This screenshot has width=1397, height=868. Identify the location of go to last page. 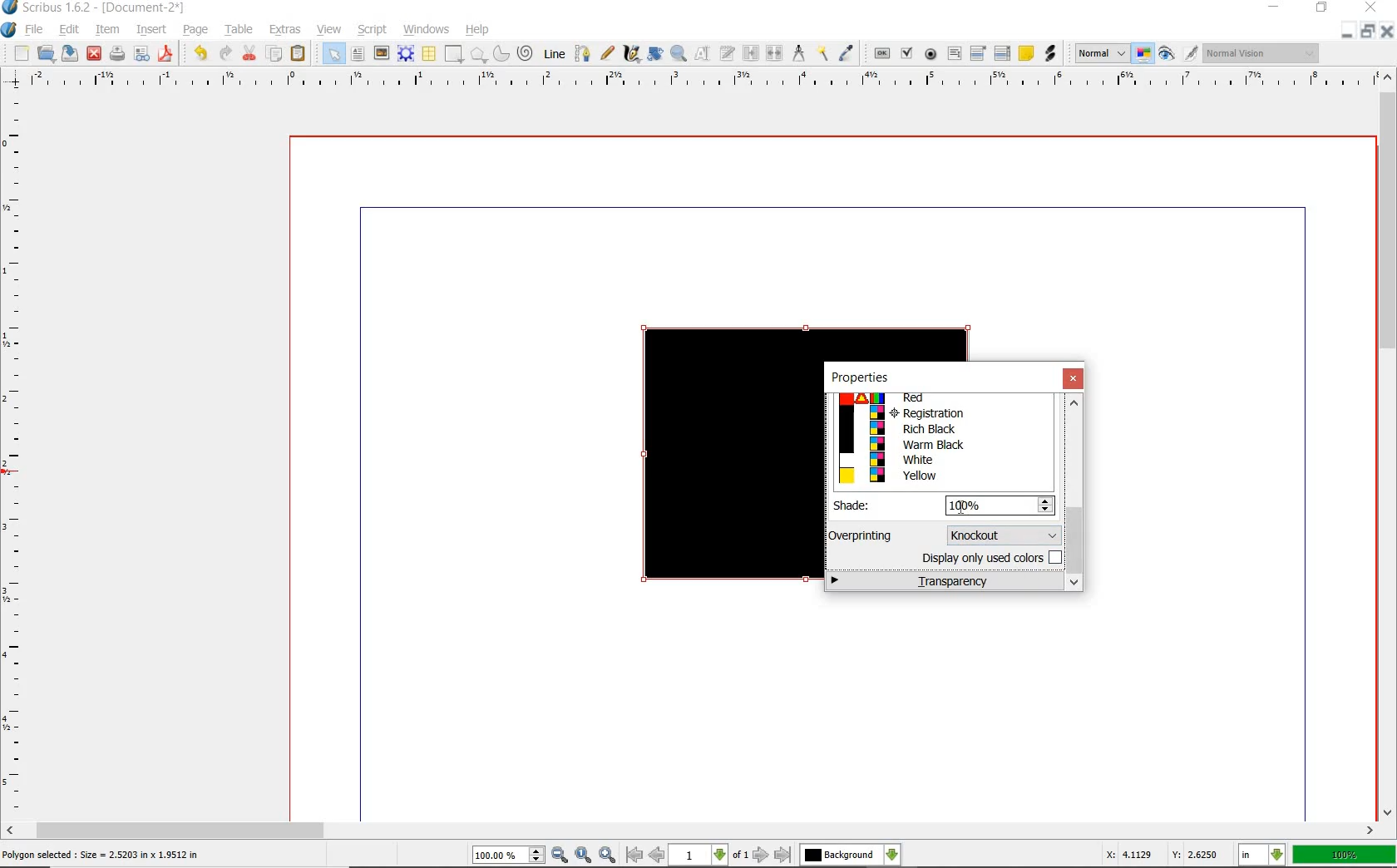
(783, 854).